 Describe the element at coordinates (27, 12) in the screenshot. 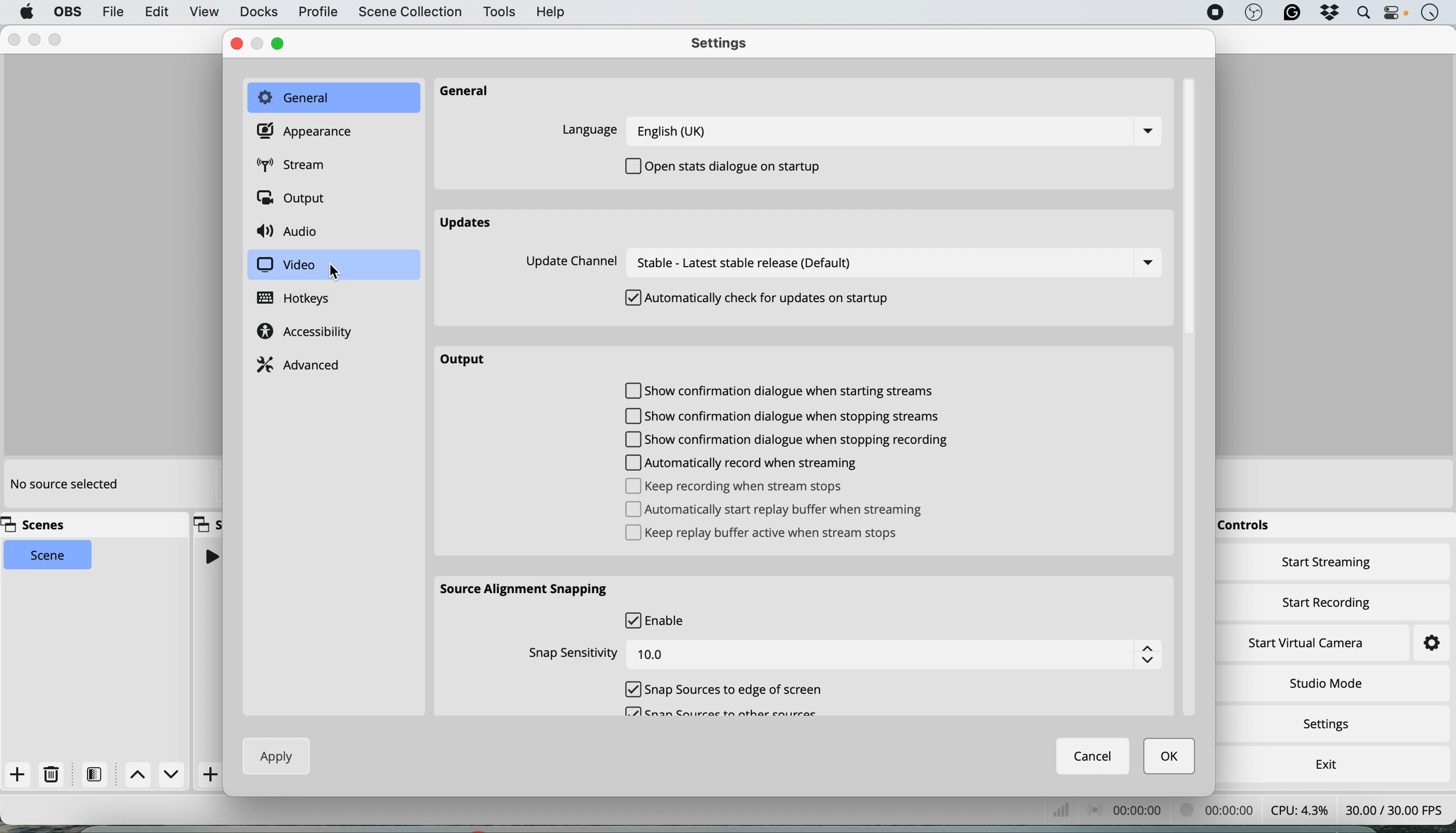

I see `system logo` at that location.